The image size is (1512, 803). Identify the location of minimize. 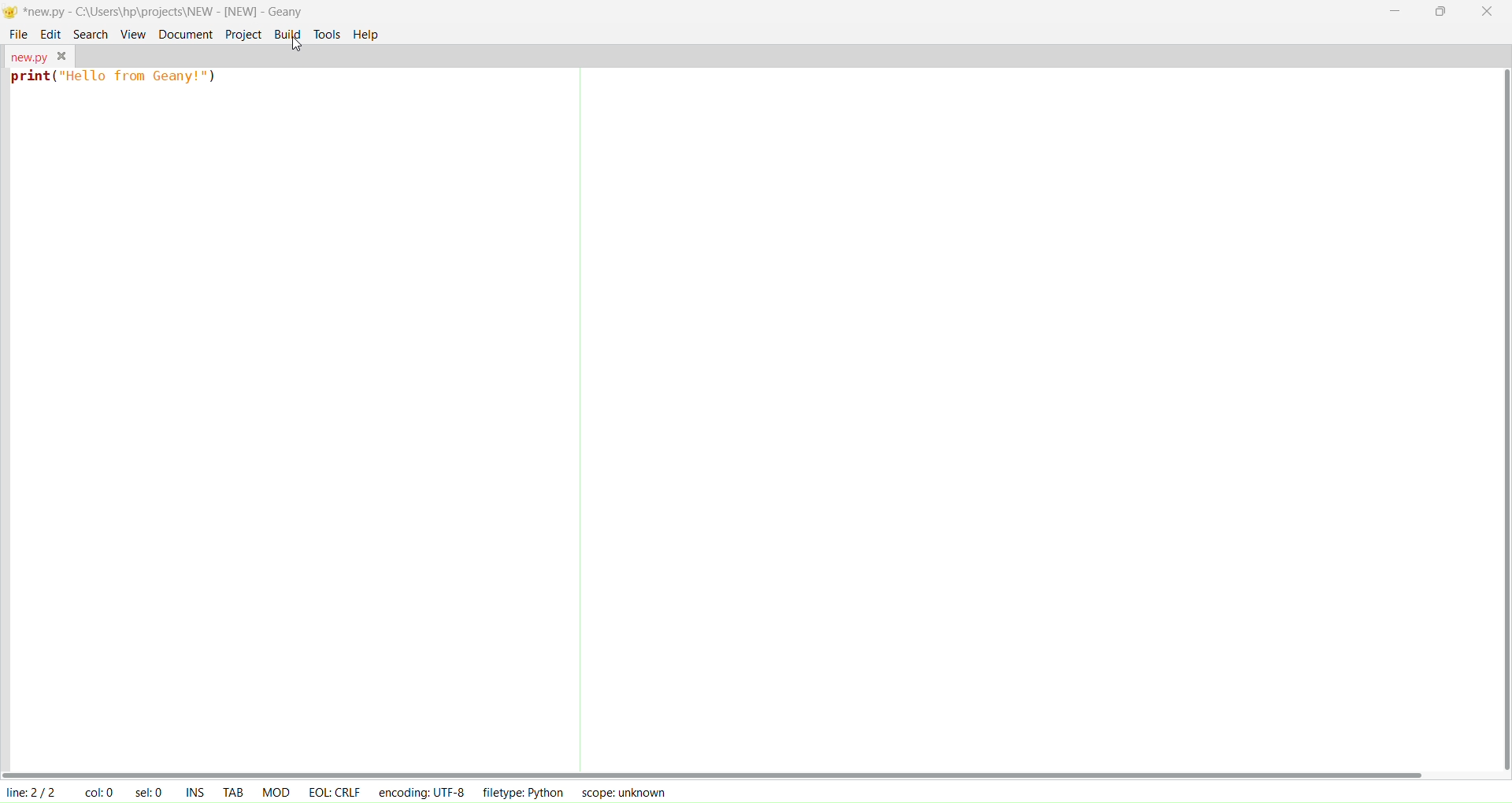
(1398, 12).